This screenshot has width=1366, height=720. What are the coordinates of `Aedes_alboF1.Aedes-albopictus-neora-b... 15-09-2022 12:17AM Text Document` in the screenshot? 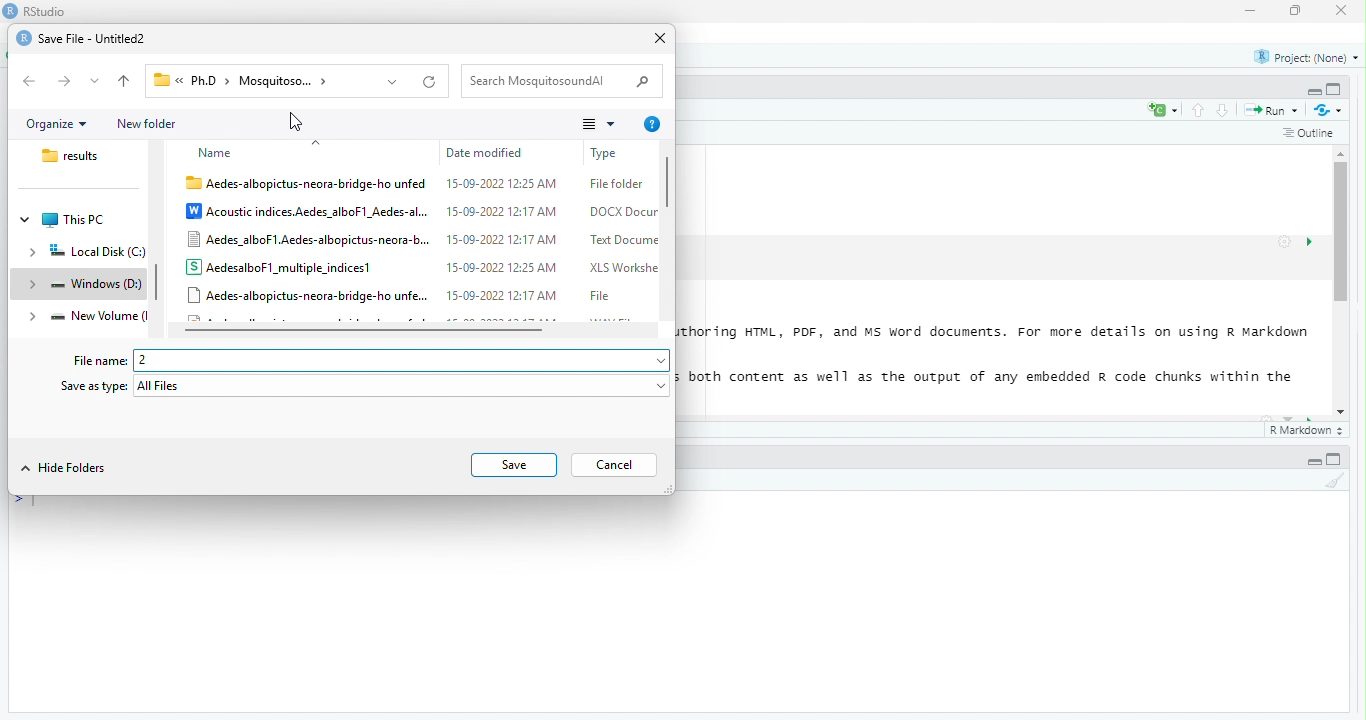 It's located at (422, 240).